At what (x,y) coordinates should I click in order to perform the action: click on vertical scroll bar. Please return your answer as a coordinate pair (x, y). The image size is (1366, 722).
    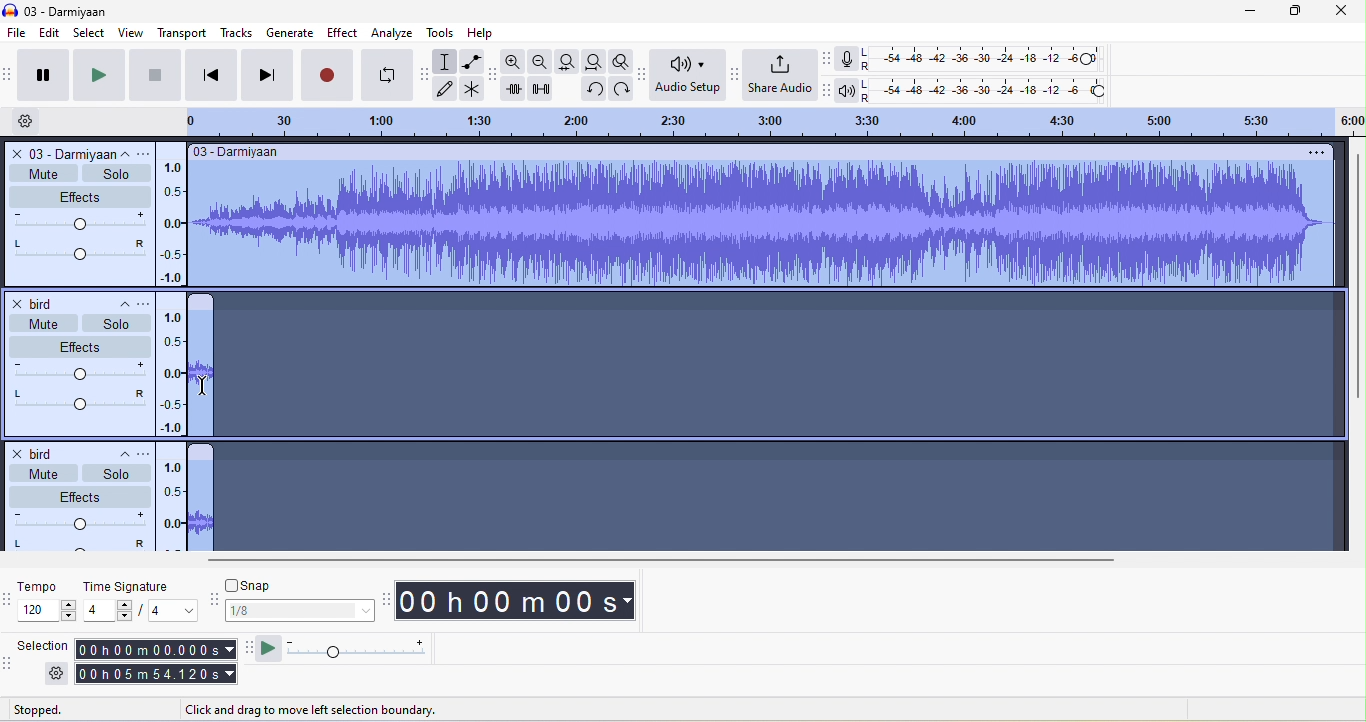
    Looking at the image, I should click on (1355, 280).